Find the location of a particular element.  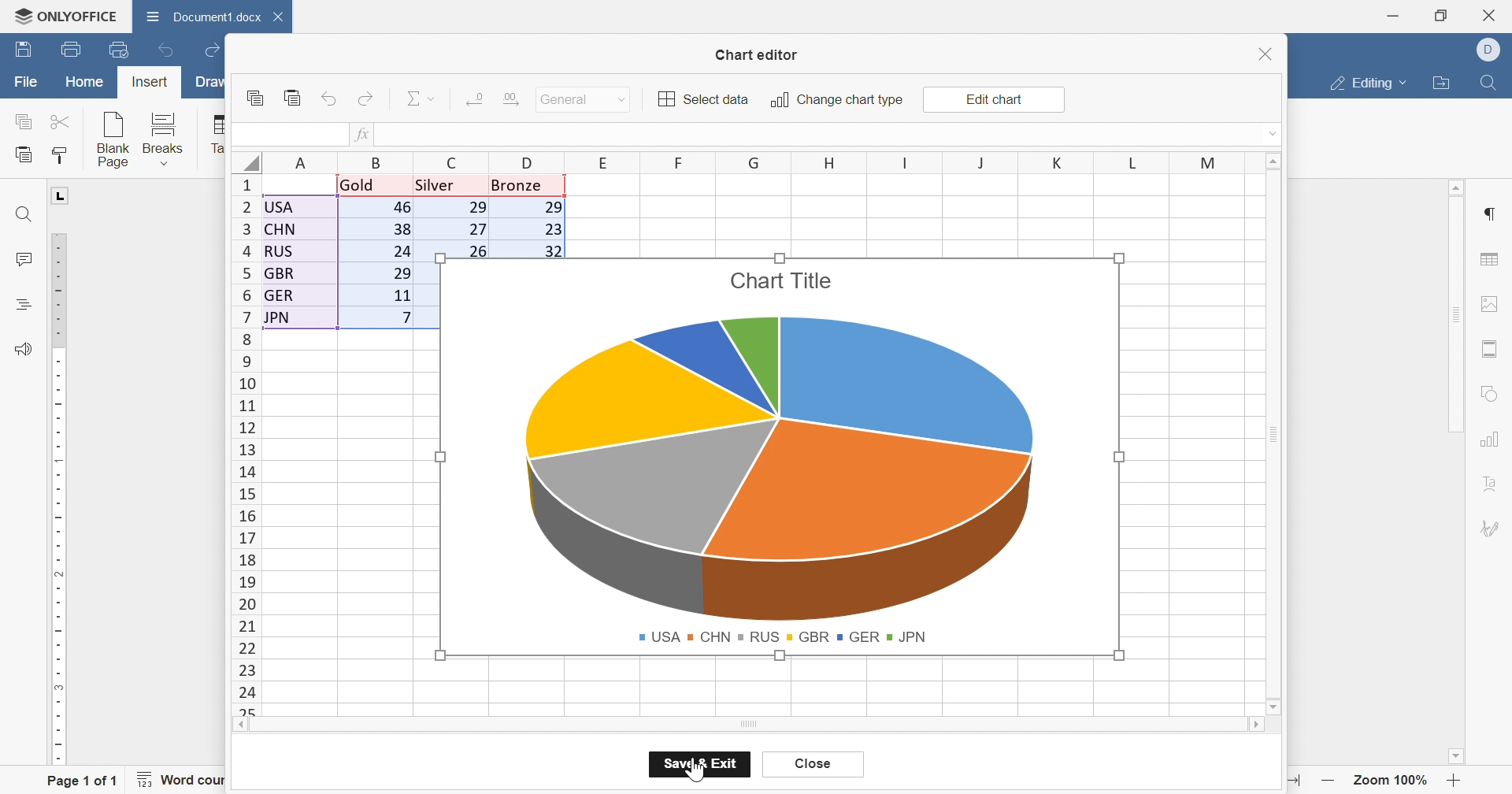

Chart Title is located at coordinates (780, 280).